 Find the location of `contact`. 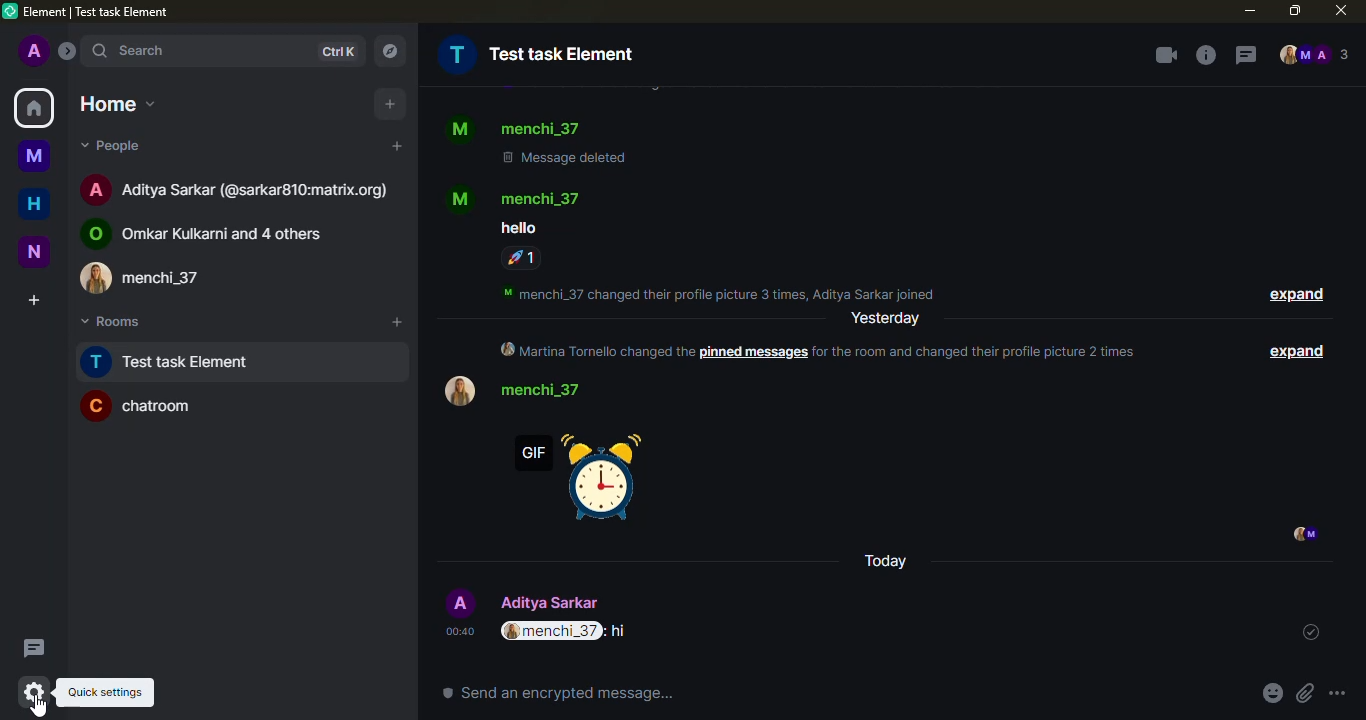

contact is located at coordinates (217, 231).